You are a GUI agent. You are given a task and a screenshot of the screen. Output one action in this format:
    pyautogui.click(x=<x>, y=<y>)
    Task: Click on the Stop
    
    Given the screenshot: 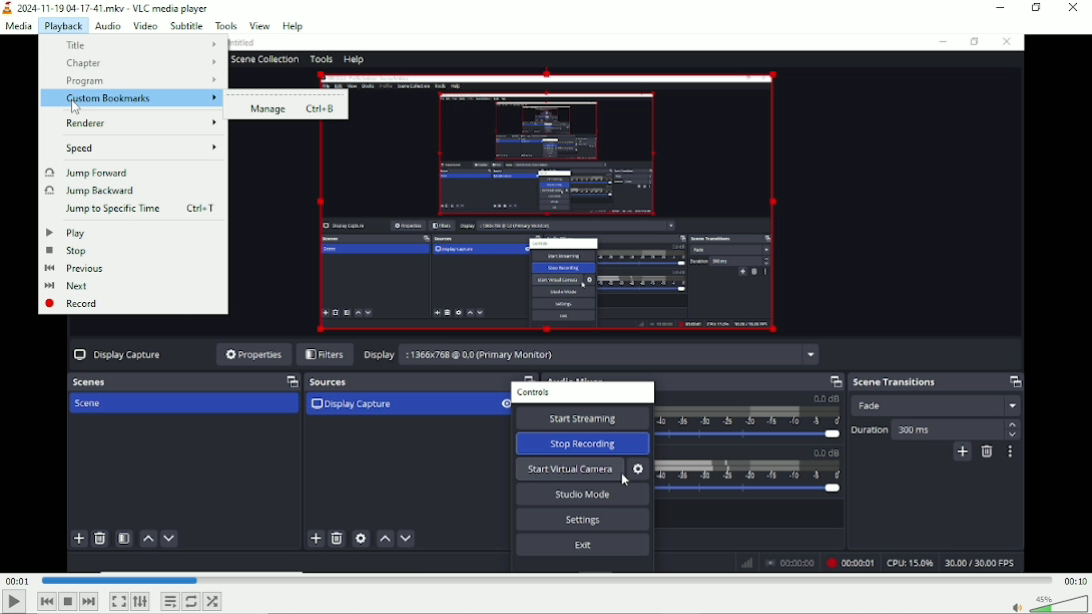 What is the action you would take?
    pyautogui.click(x=66, y=251)
    